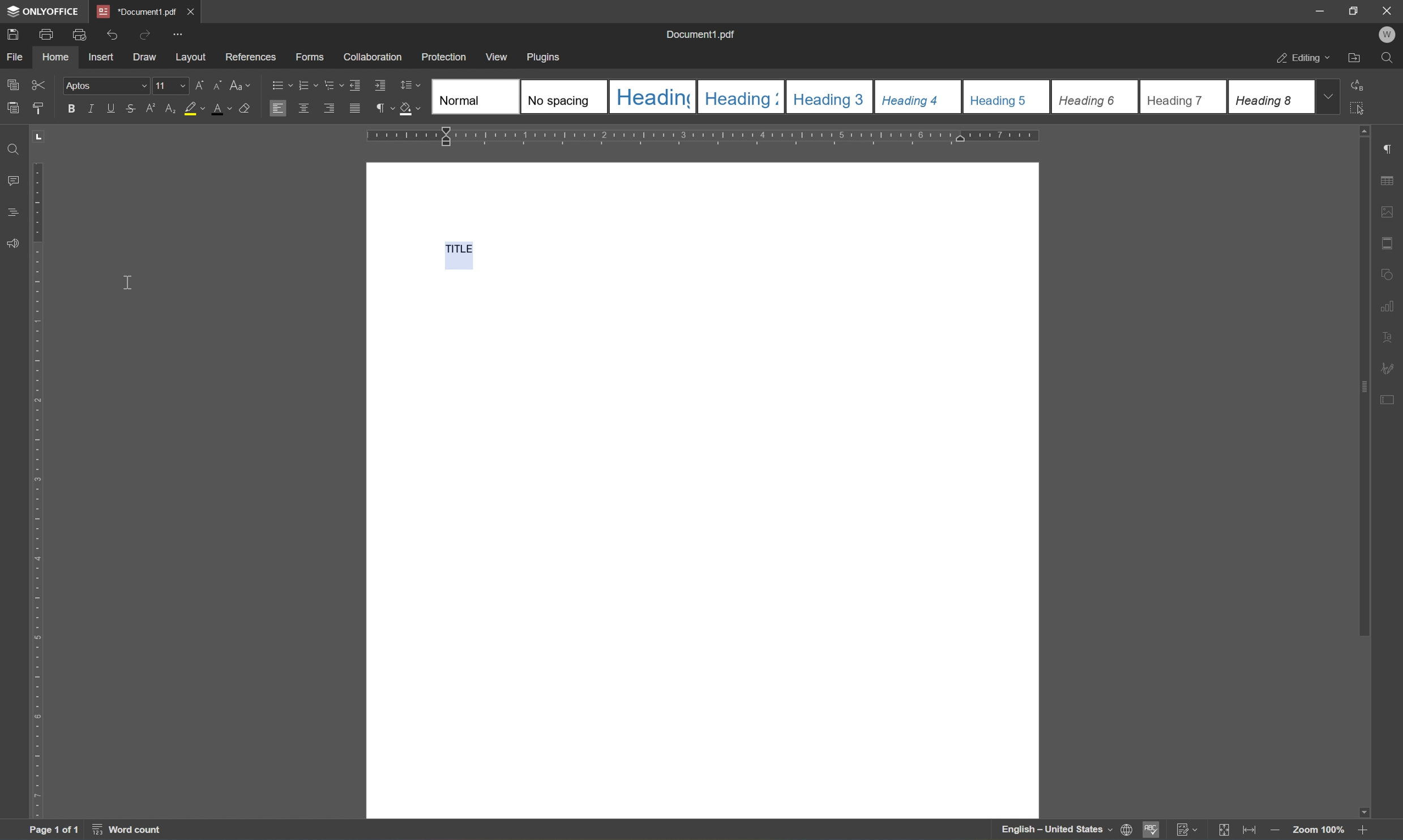 This screenshot has width=1403, height=840. What do you see at coordinates (180, 33) in the screenshot?
I see `customize quick access toolbar` at bounding box center [180, 33].